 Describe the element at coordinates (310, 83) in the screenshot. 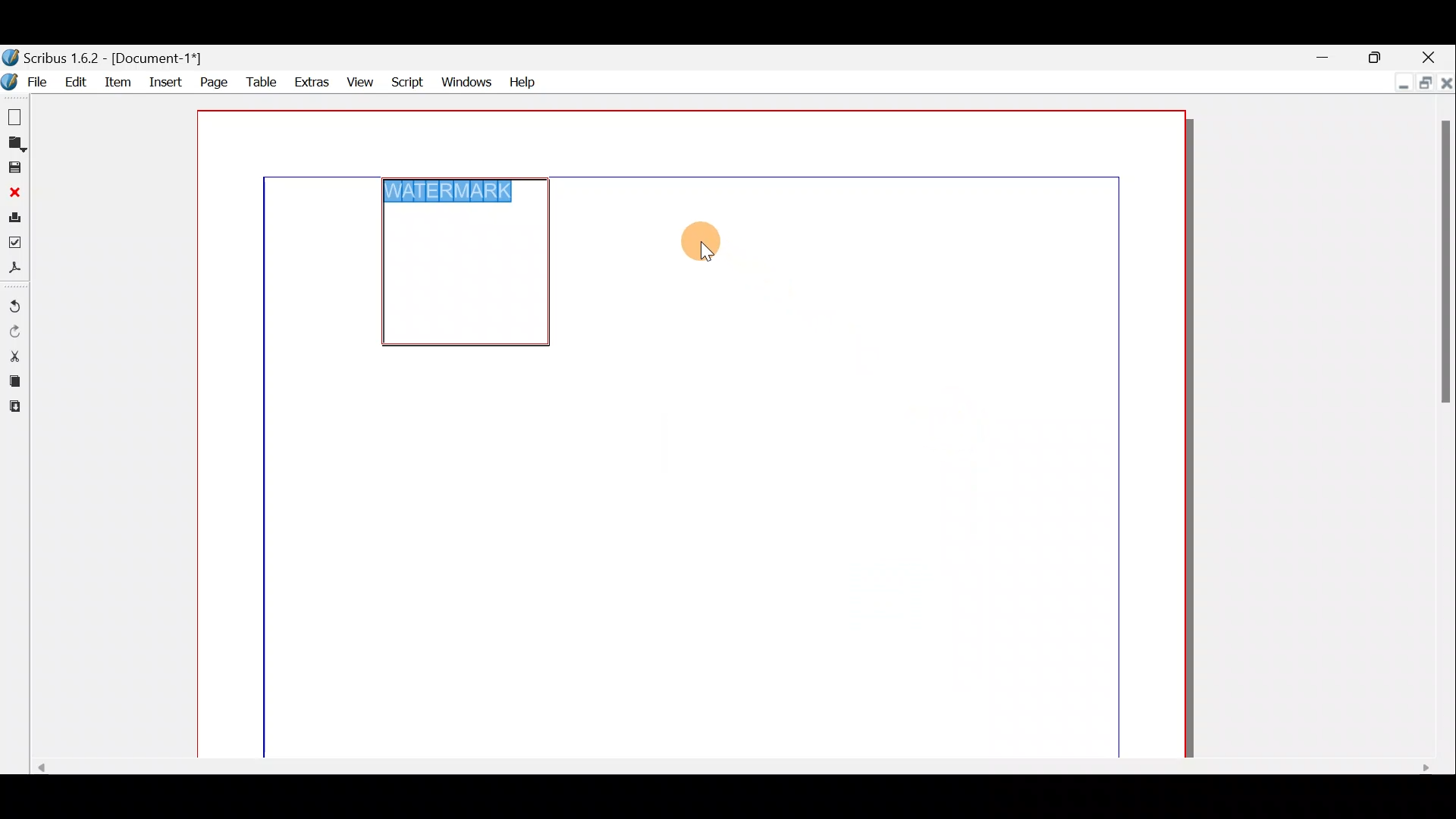

I see `Extras` at that location.